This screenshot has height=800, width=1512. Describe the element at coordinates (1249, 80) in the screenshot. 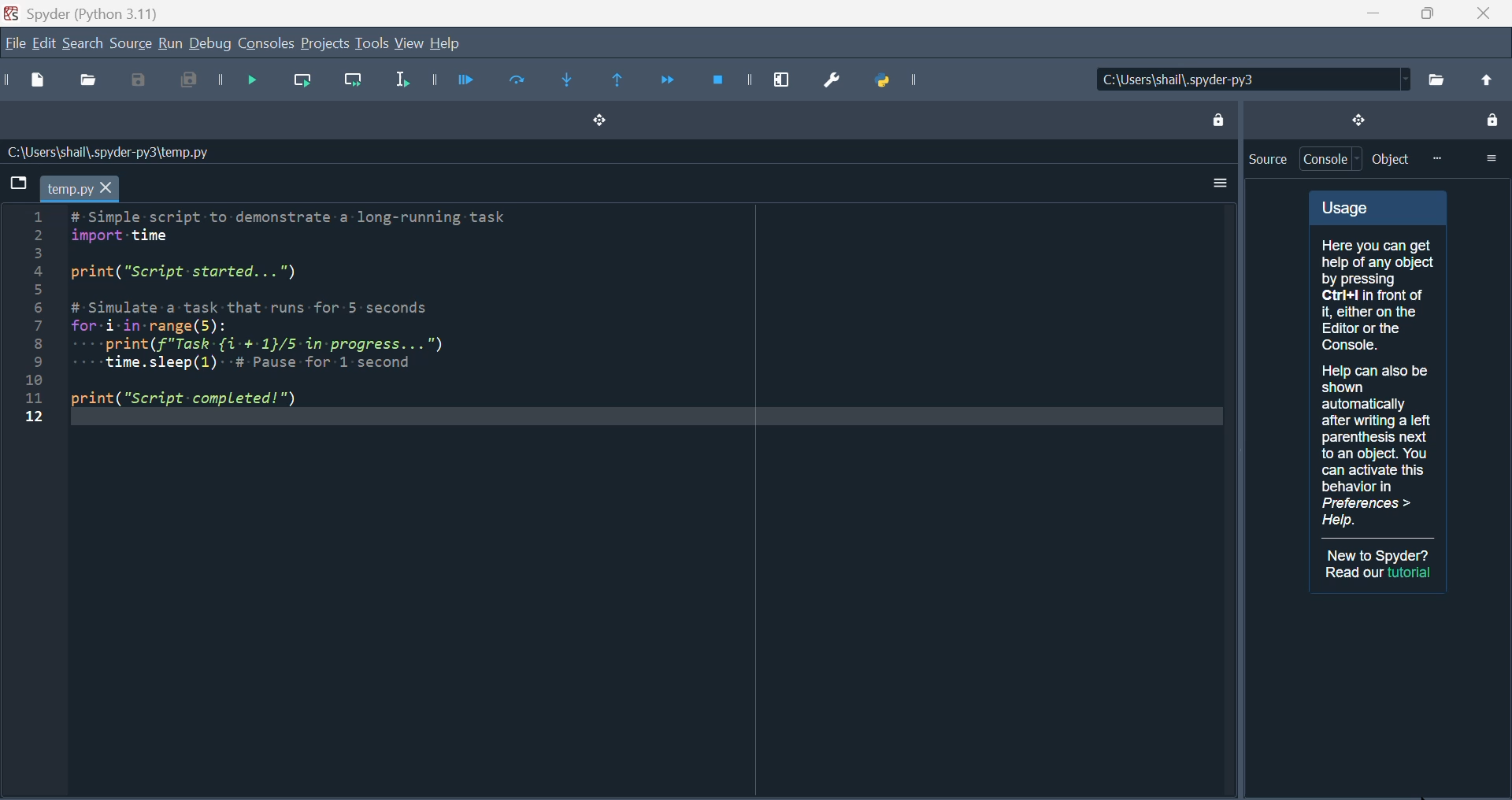

I see `C:\Users\shail\.spyder-py3` at that location.